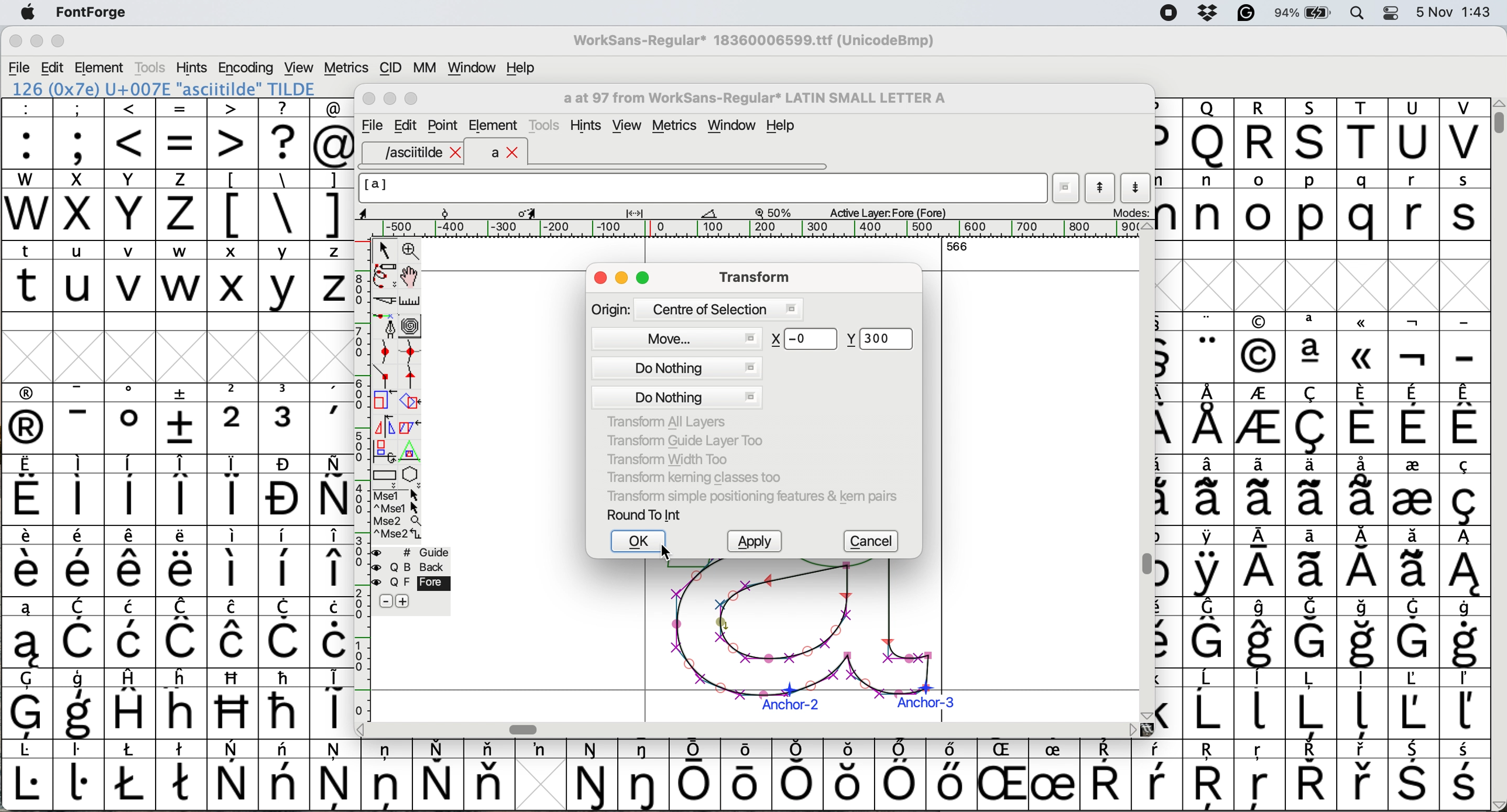 This screenshot has height=812, width=1507. I want to click on Vertical scroll bar, so click(1143, 566).